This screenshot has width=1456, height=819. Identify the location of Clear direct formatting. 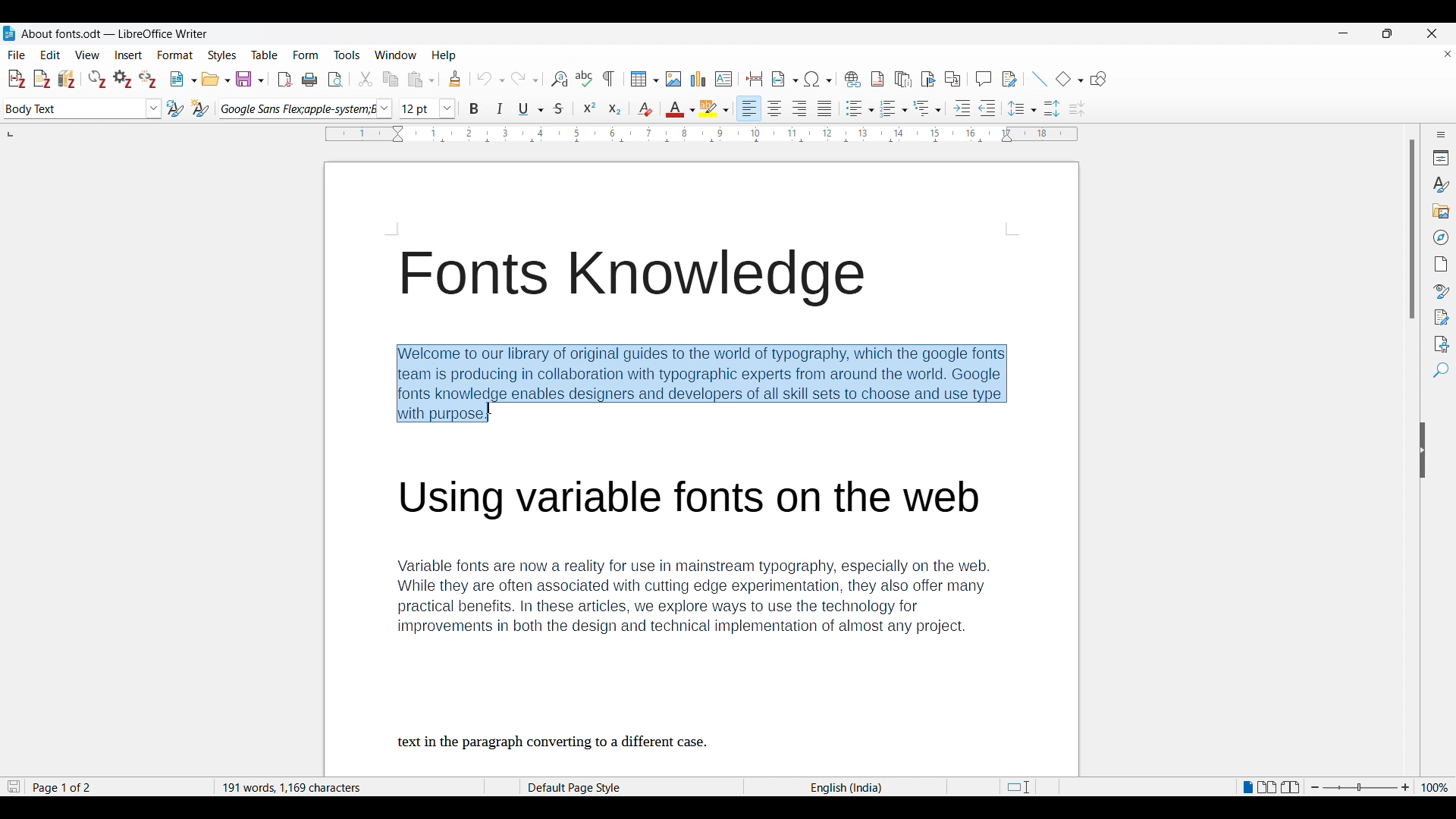
(645, 109).